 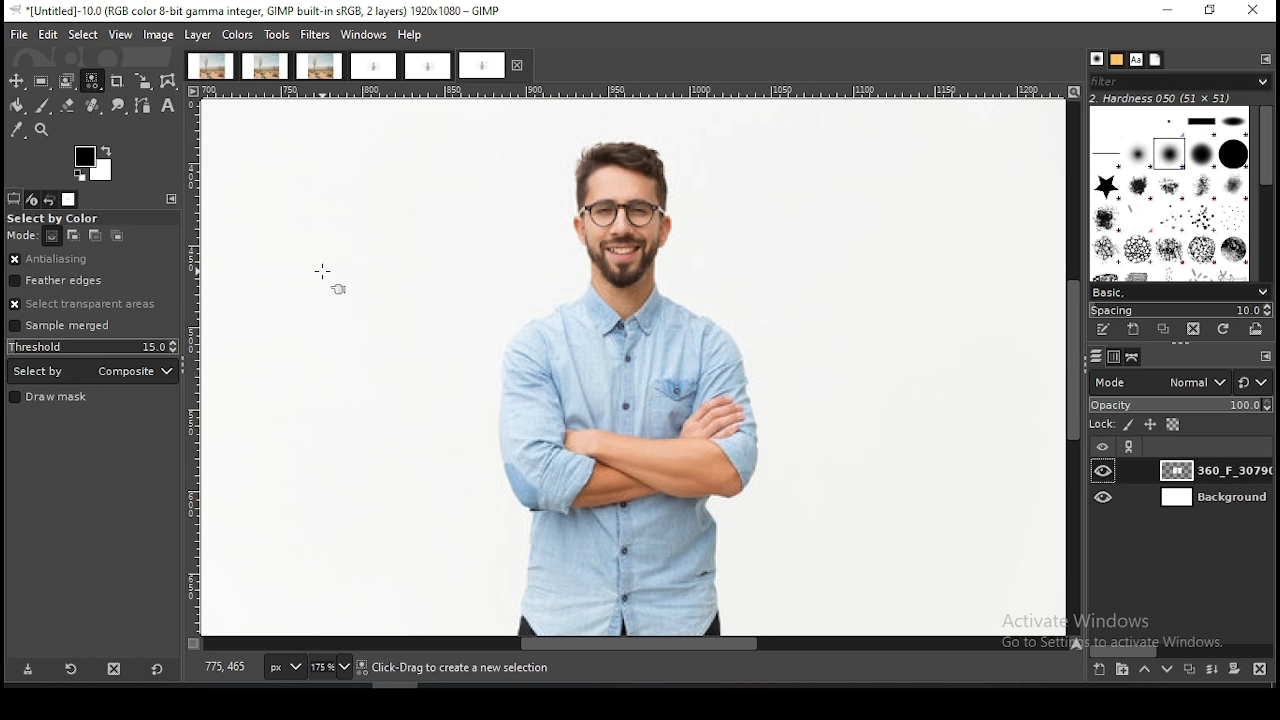 I want to click on project tab, so click(x=266, y=66).